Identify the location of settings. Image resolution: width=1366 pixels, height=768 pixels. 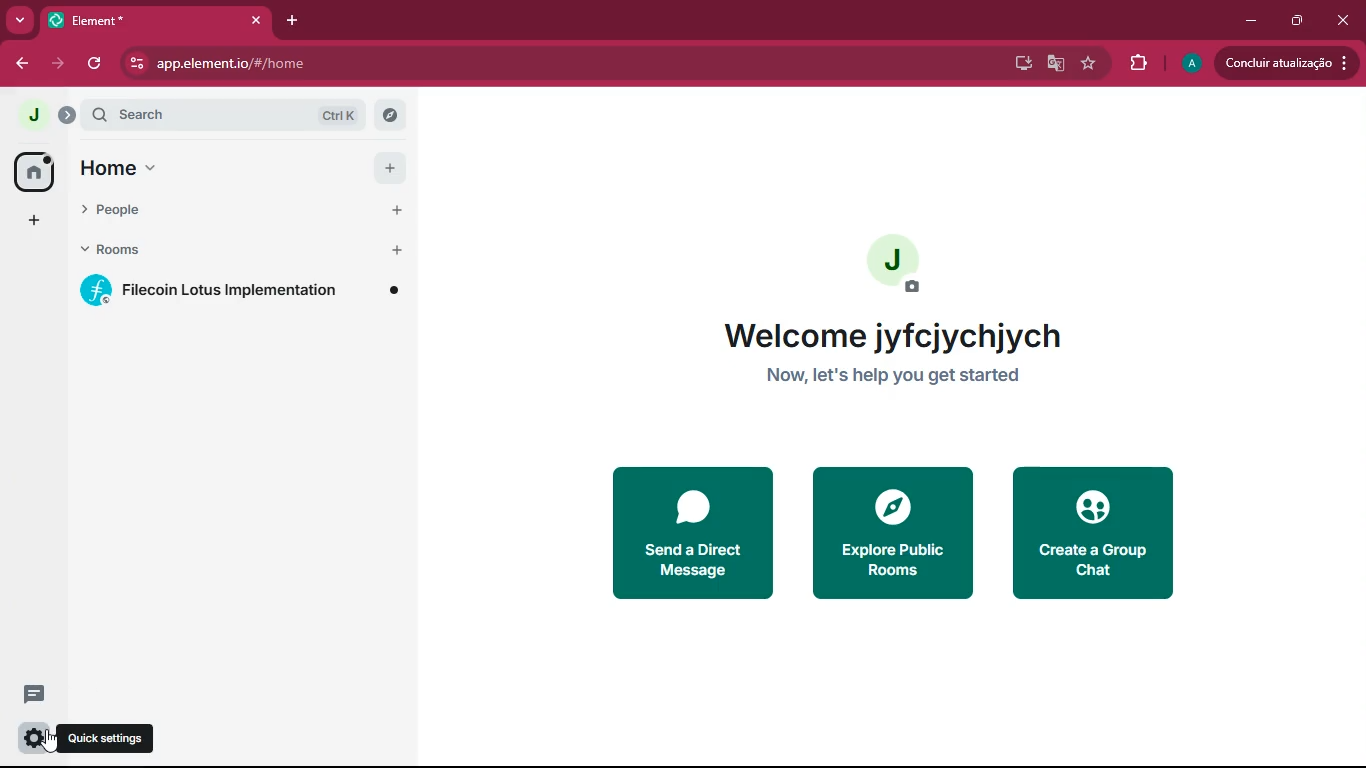
(35, 739).